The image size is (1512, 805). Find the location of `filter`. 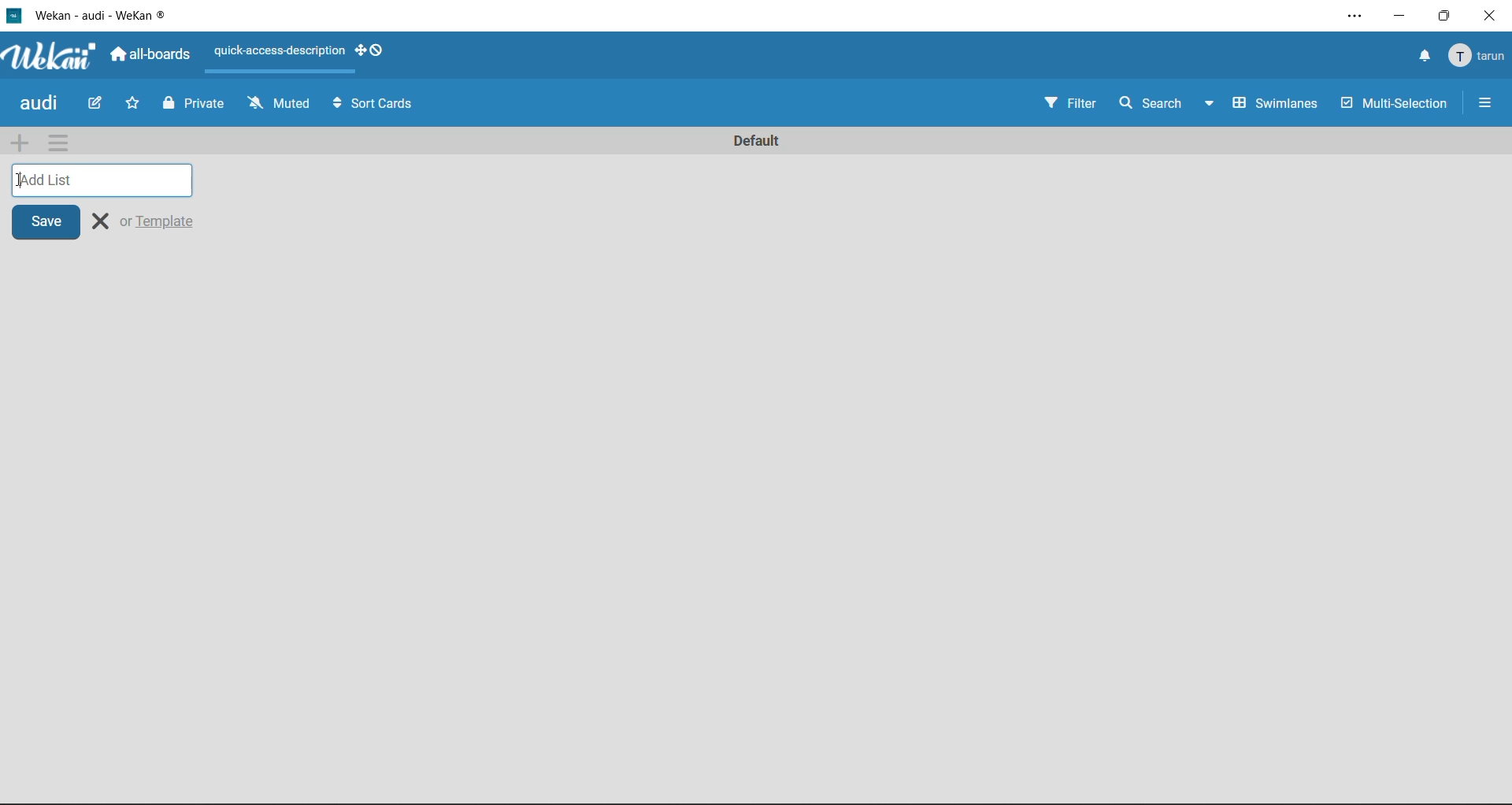

filter is located at coordinates (1073, 105).